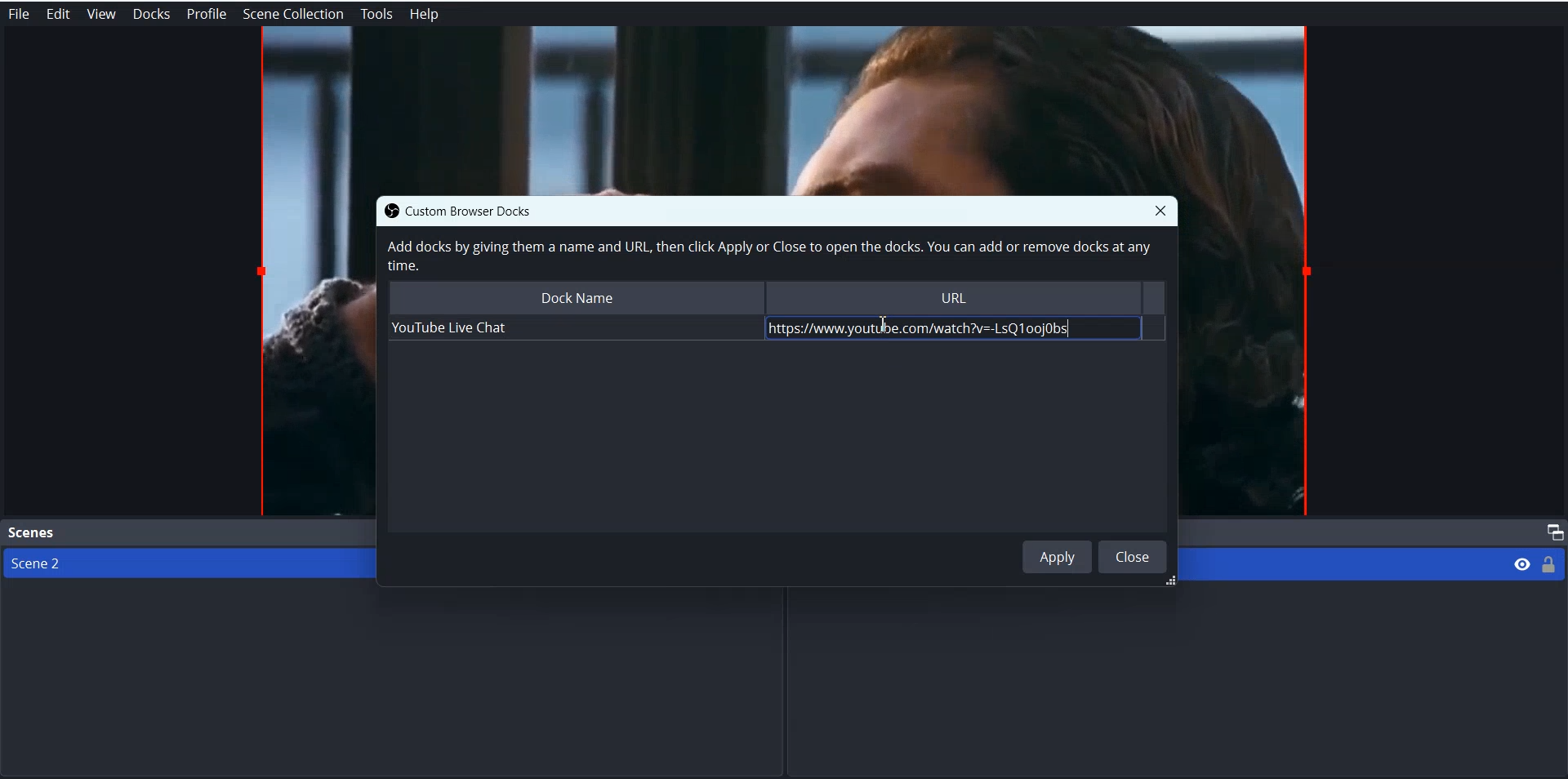  I want to click on Maximize, so click(1552, 532).